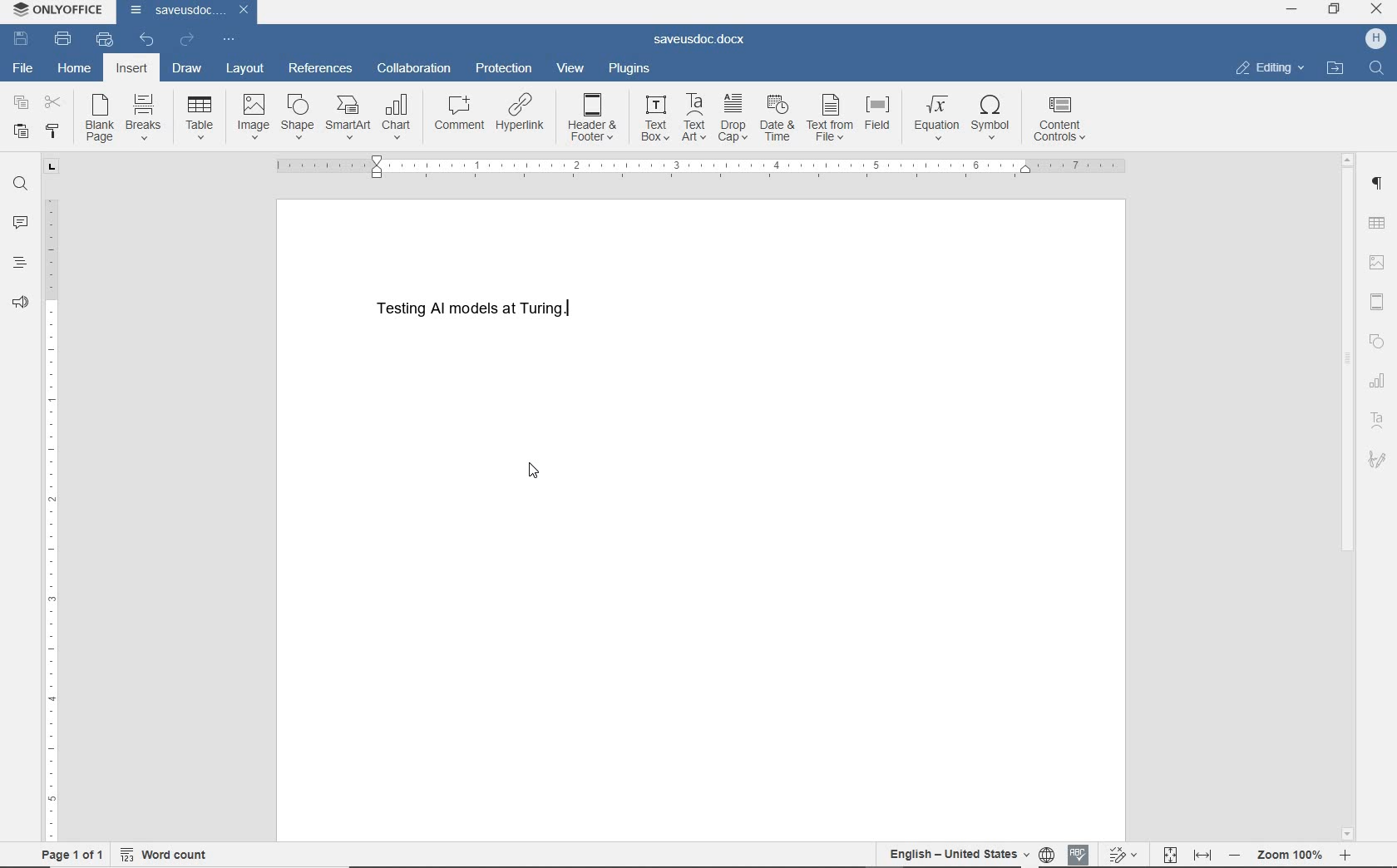 This screenshot has width=1397, height=868. I want to click on equation, so click(938, 116).